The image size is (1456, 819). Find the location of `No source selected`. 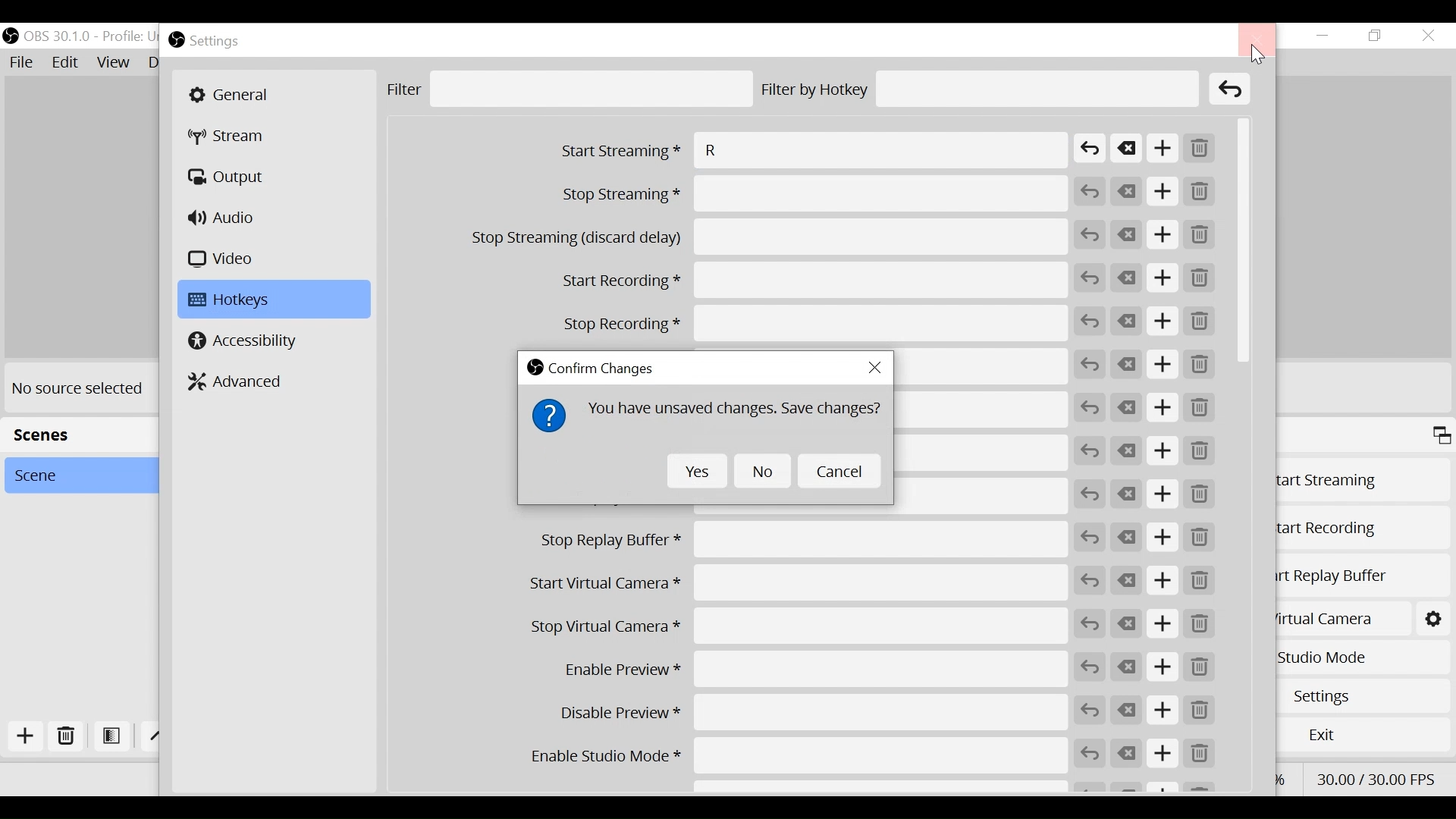

No source selected is located at coordinates (78, 387).